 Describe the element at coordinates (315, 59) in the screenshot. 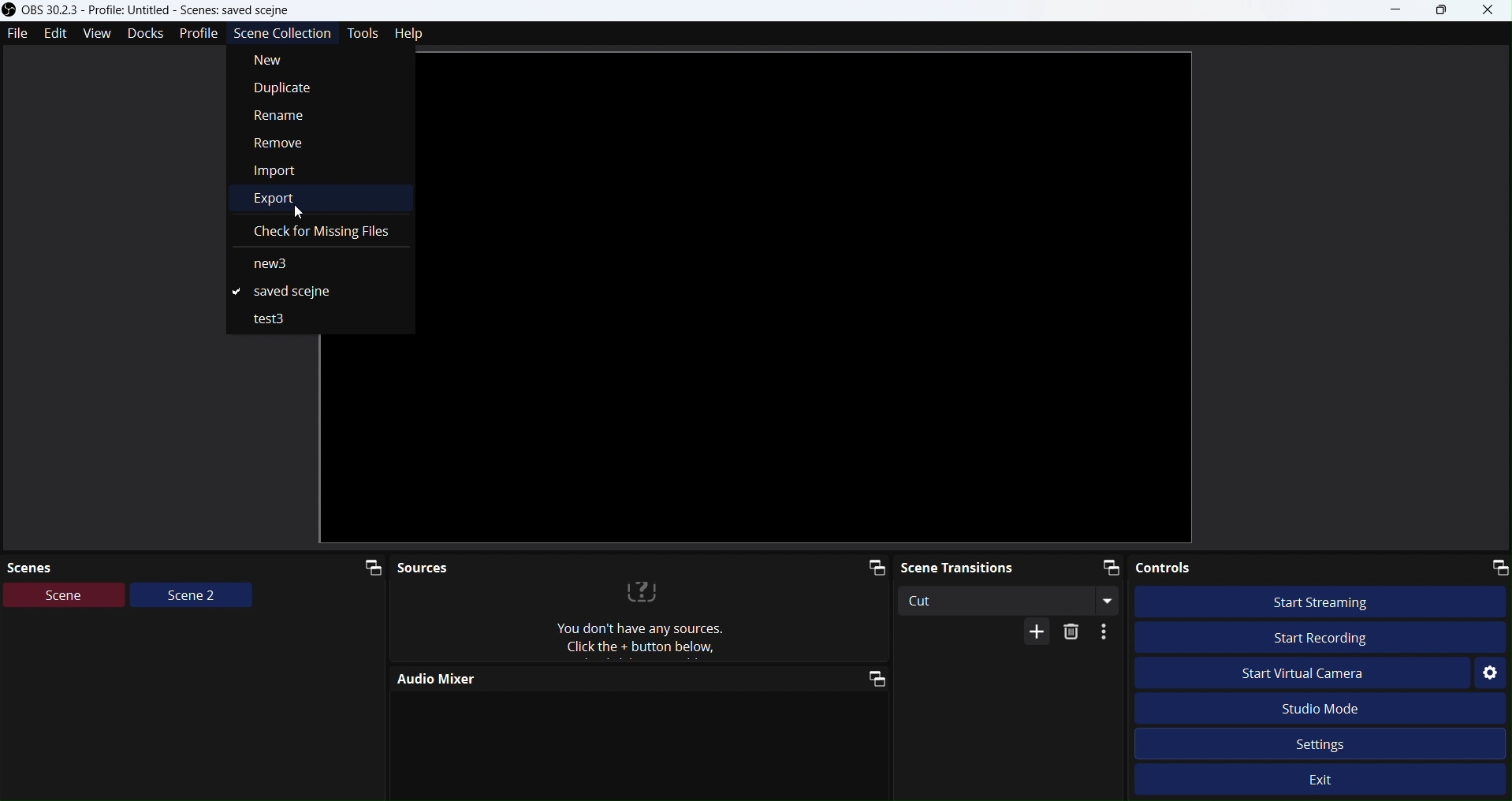

I see `New` at that location.